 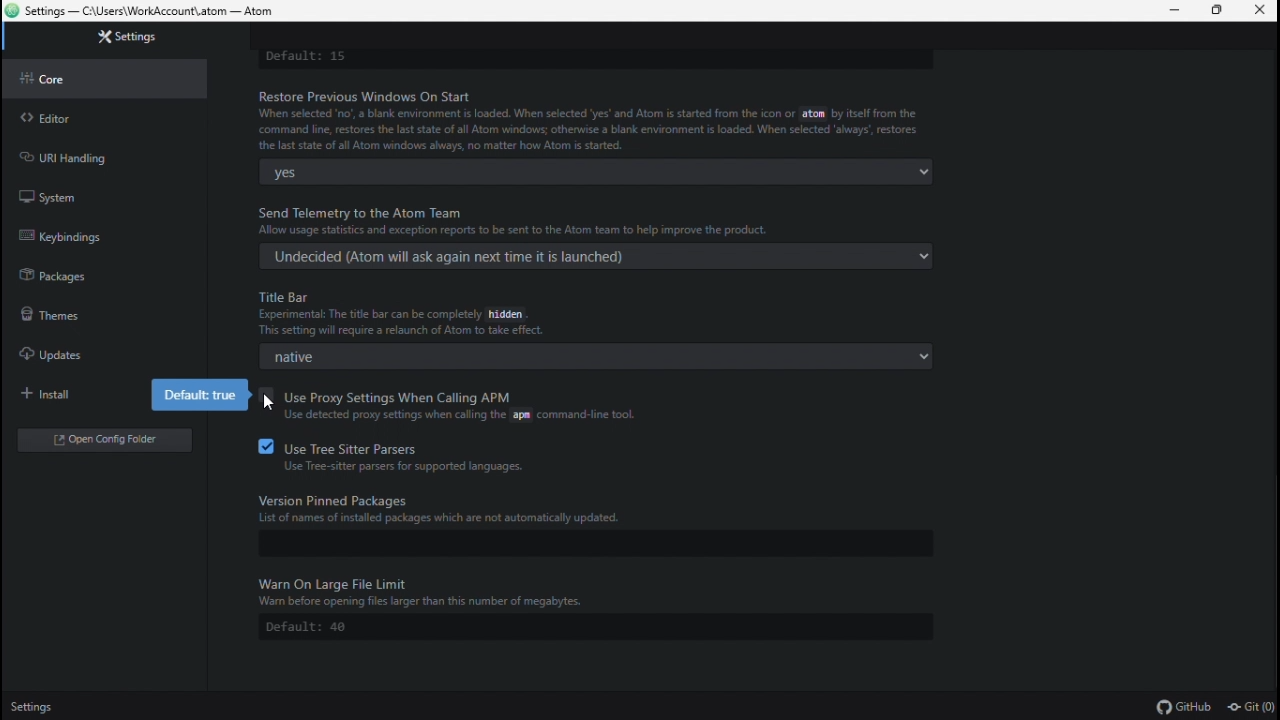 I want to click on Restore previous Windows on start send, so click(x=600, y=120).